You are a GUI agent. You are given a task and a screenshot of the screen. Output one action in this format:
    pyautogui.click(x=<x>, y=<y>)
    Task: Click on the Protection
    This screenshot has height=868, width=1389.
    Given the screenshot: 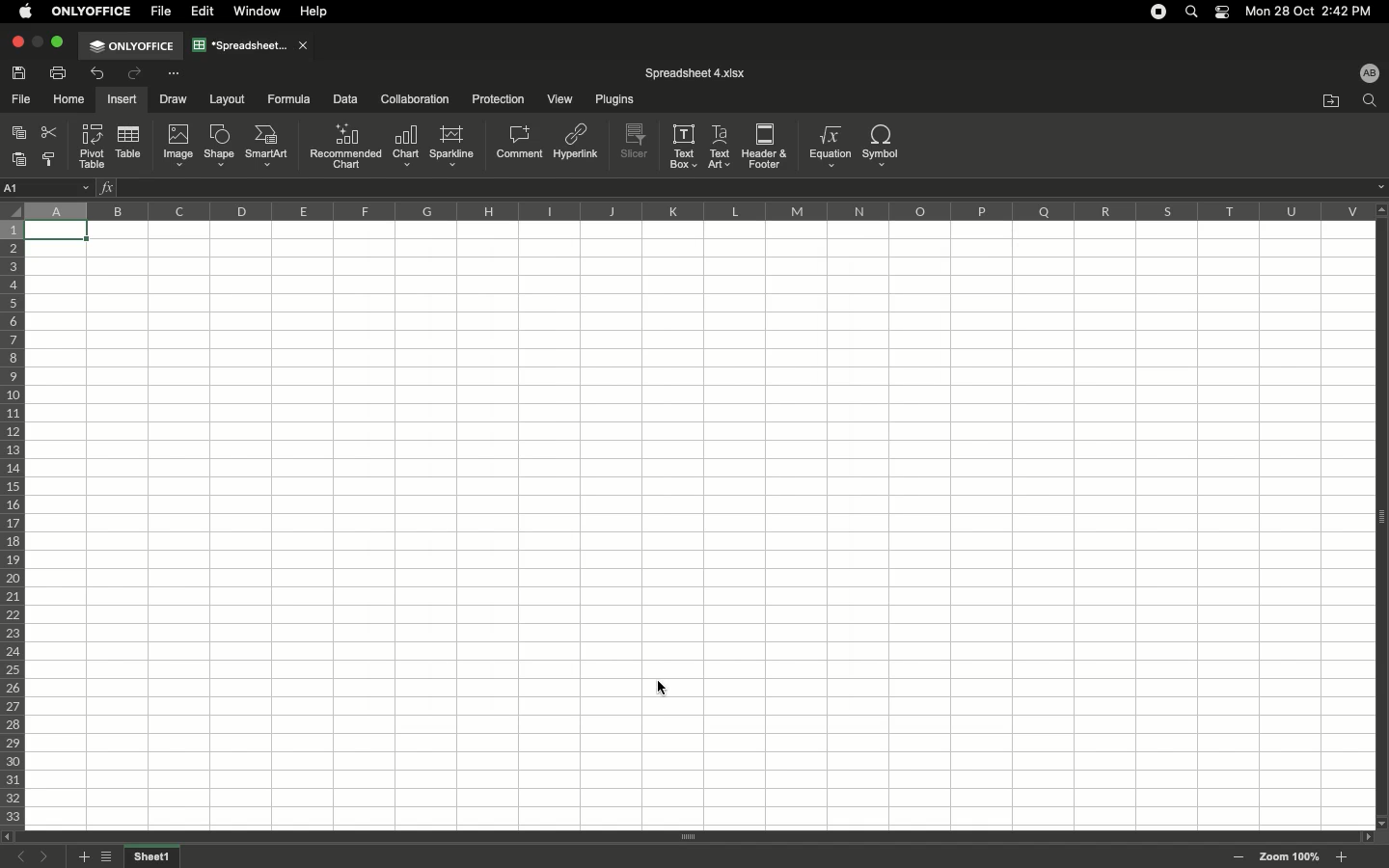 What is the action you would take?
    pyautogui.click(x=494, y=98)
    